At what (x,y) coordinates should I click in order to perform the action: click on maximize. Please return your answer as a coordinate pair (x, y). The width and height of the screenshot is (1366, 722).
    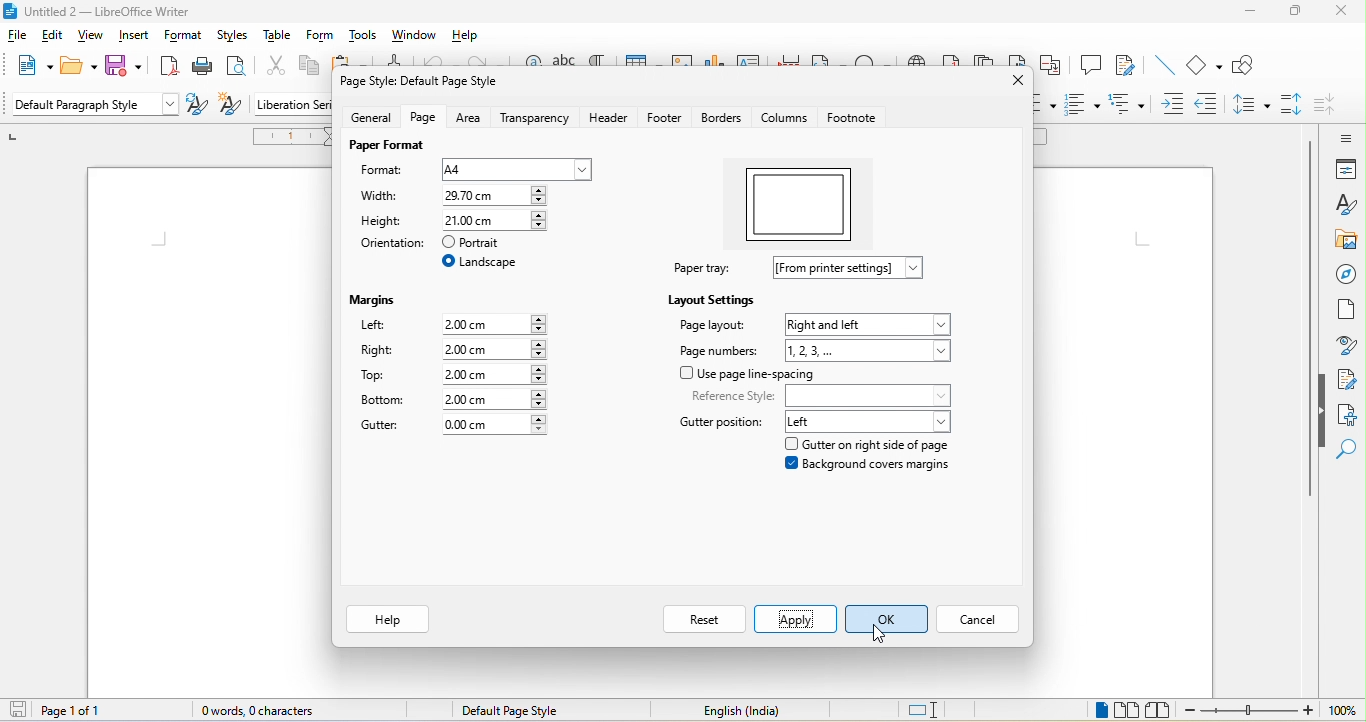
    Looking at the image, I should click on (1296, 11).